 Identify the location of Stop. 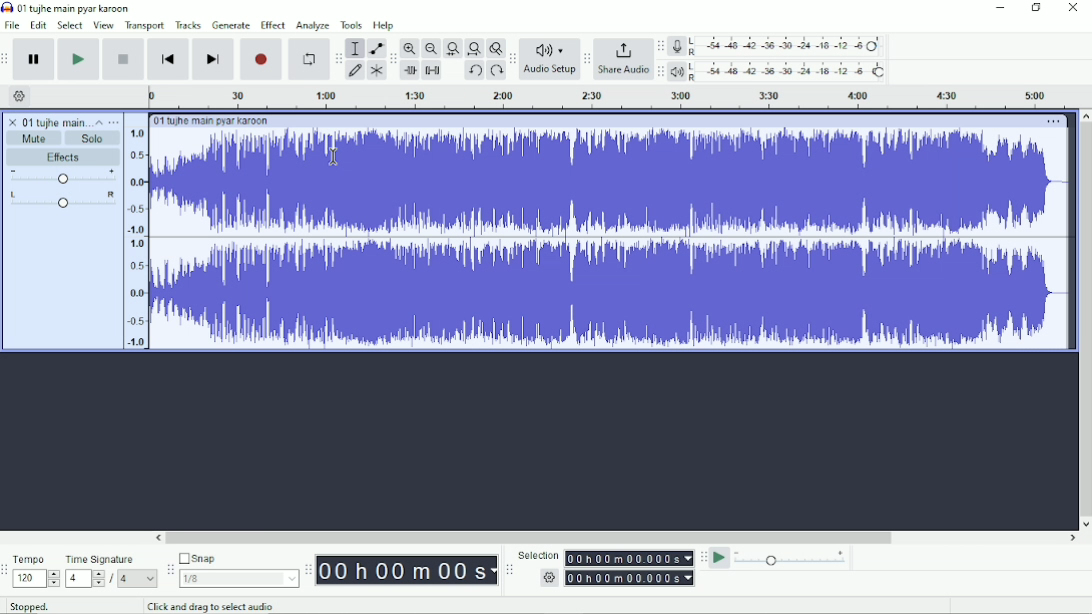
(123, 59).